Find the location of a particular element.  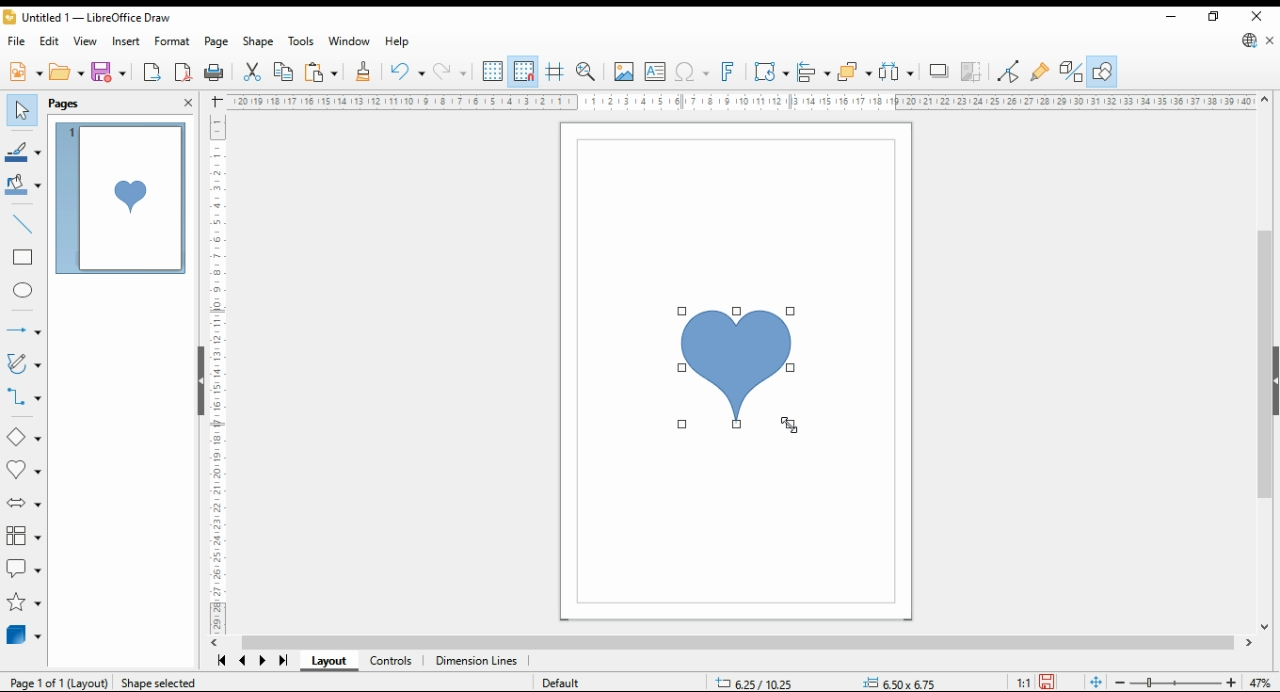

symbol shapes is located at coordinates (22, 471).